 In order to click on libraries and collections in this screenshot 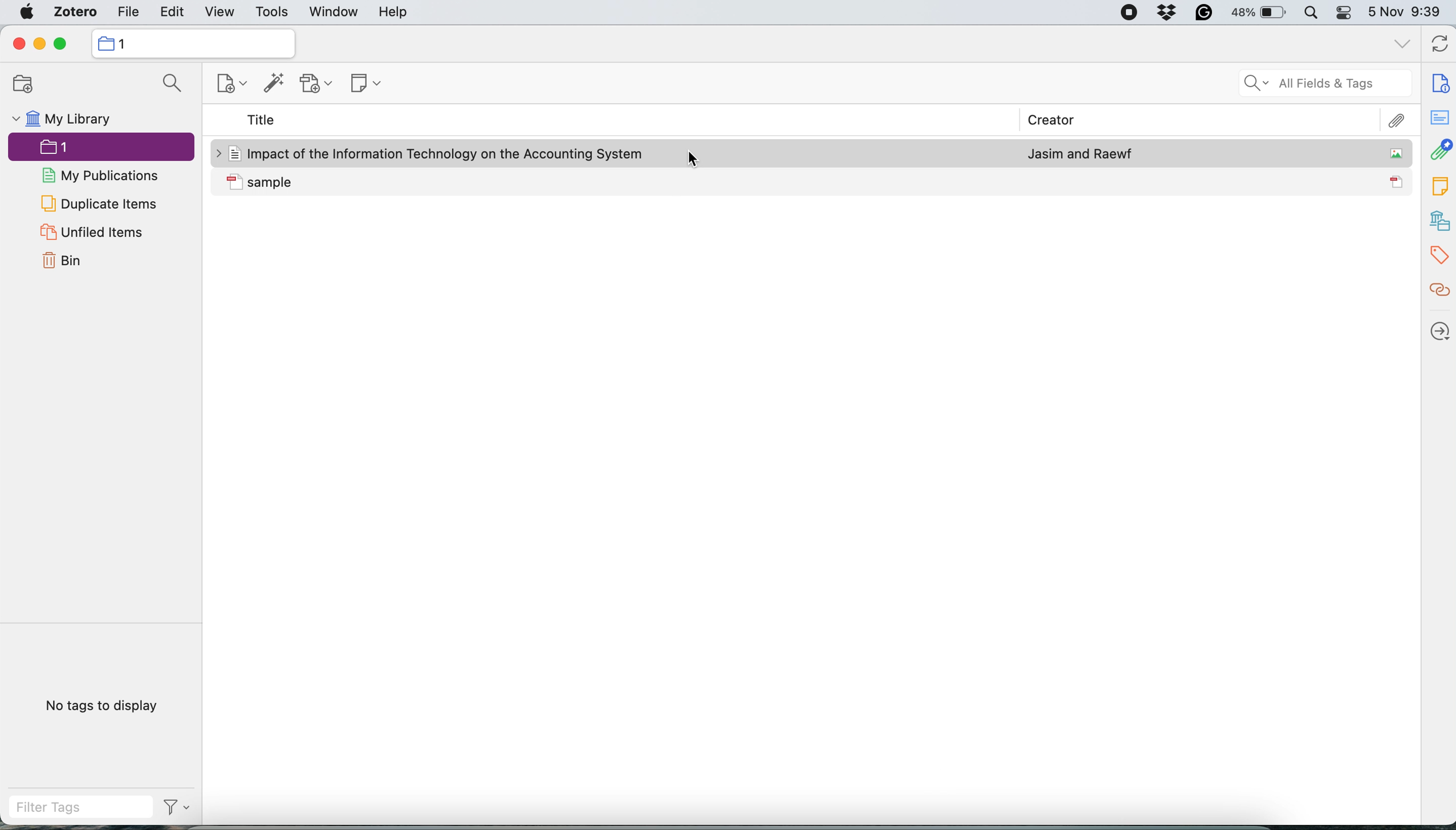, I will do `click(1439, 220)`.